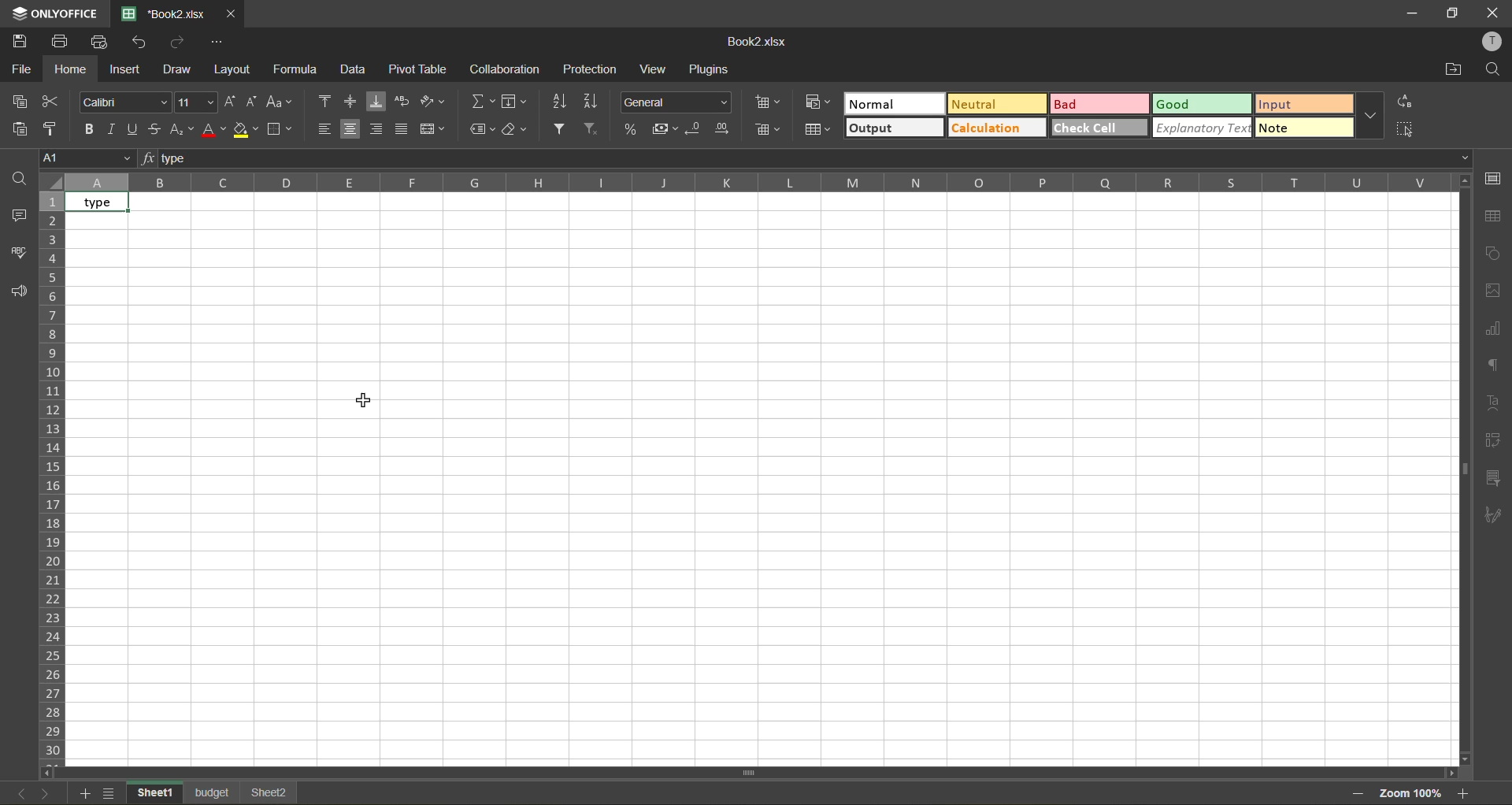 The image size is (1512, 805). What do you see at coordinates (20, 40) in the screenshot?
I see `save` at bounding box center [20, 40].